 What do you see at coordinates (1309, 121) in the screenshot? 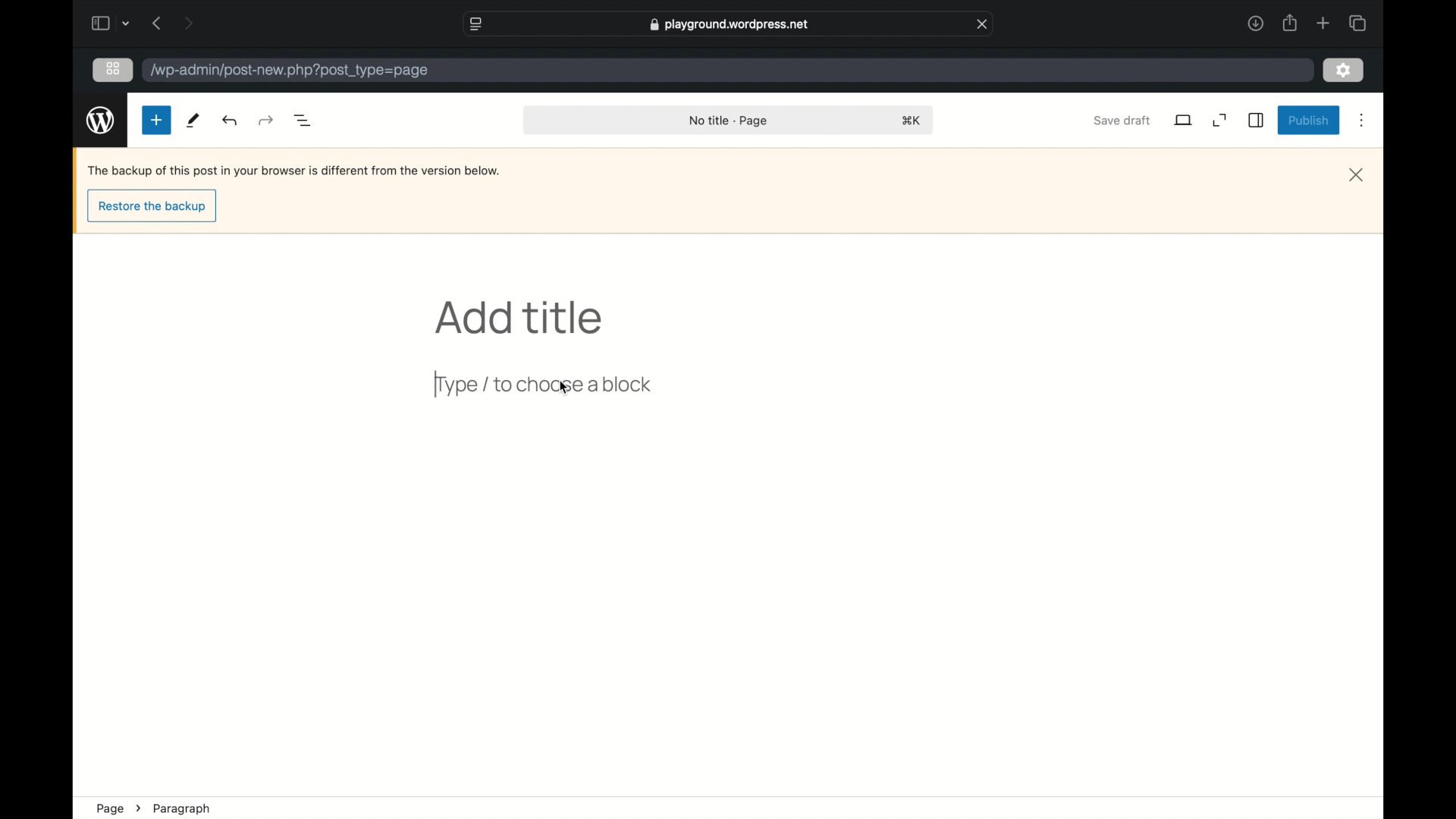
I see `publish` at bounding box center [1309, 121].